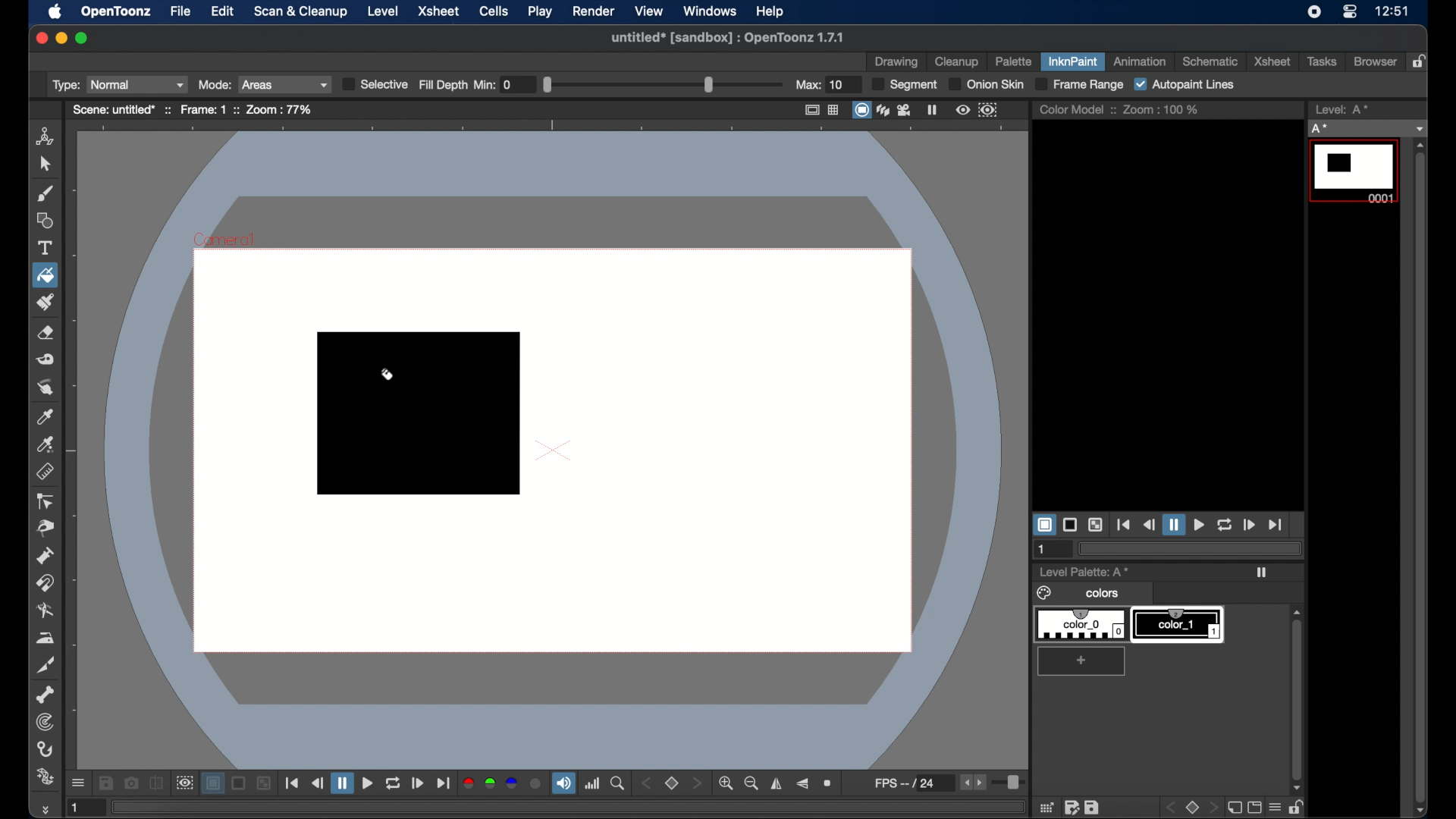 The width and height of the screenshot is (1456, 819). I want to click on text, so click(45, 248).